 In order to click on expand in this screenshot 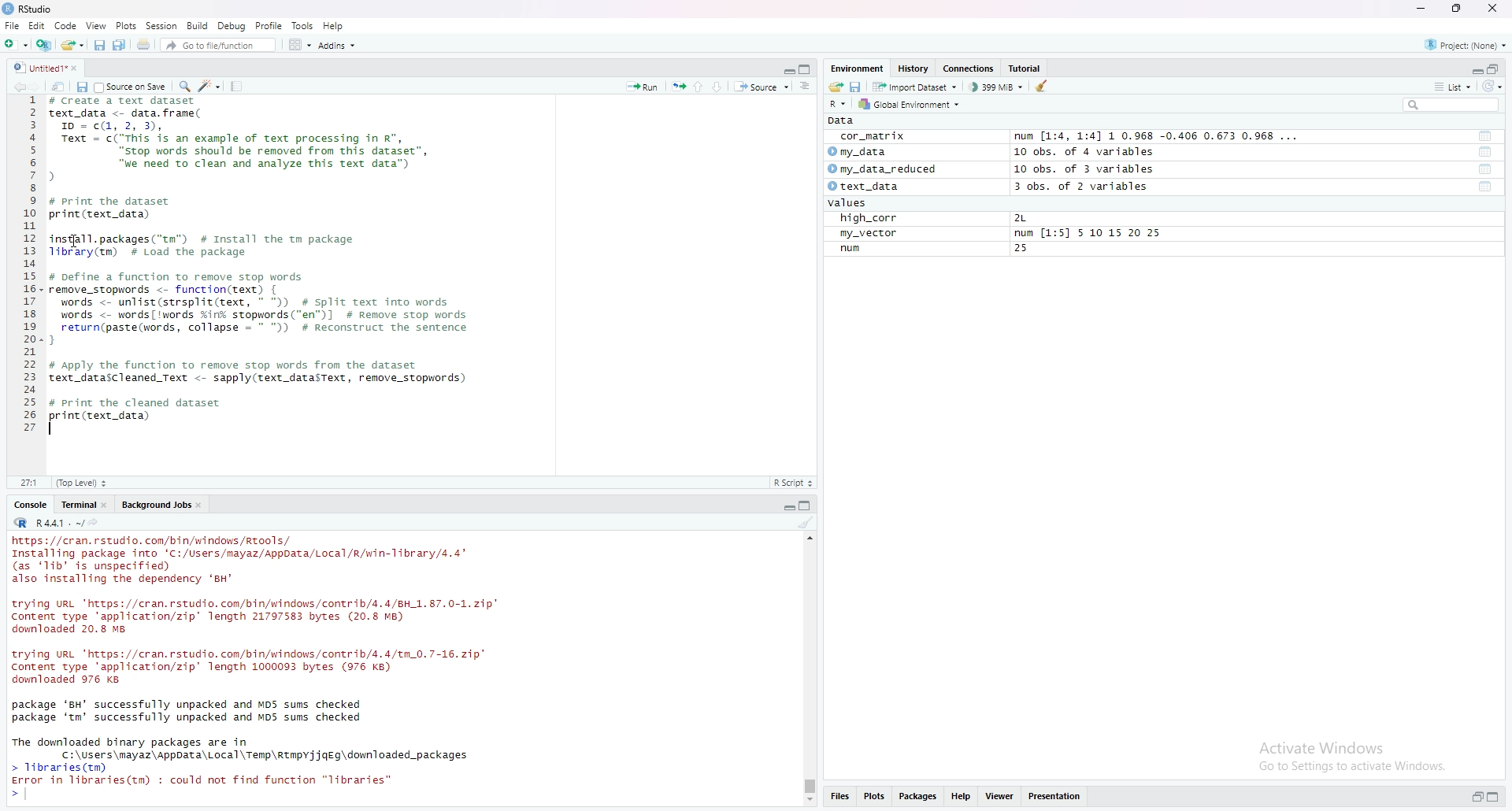, I will do `click(1475, 796)`.